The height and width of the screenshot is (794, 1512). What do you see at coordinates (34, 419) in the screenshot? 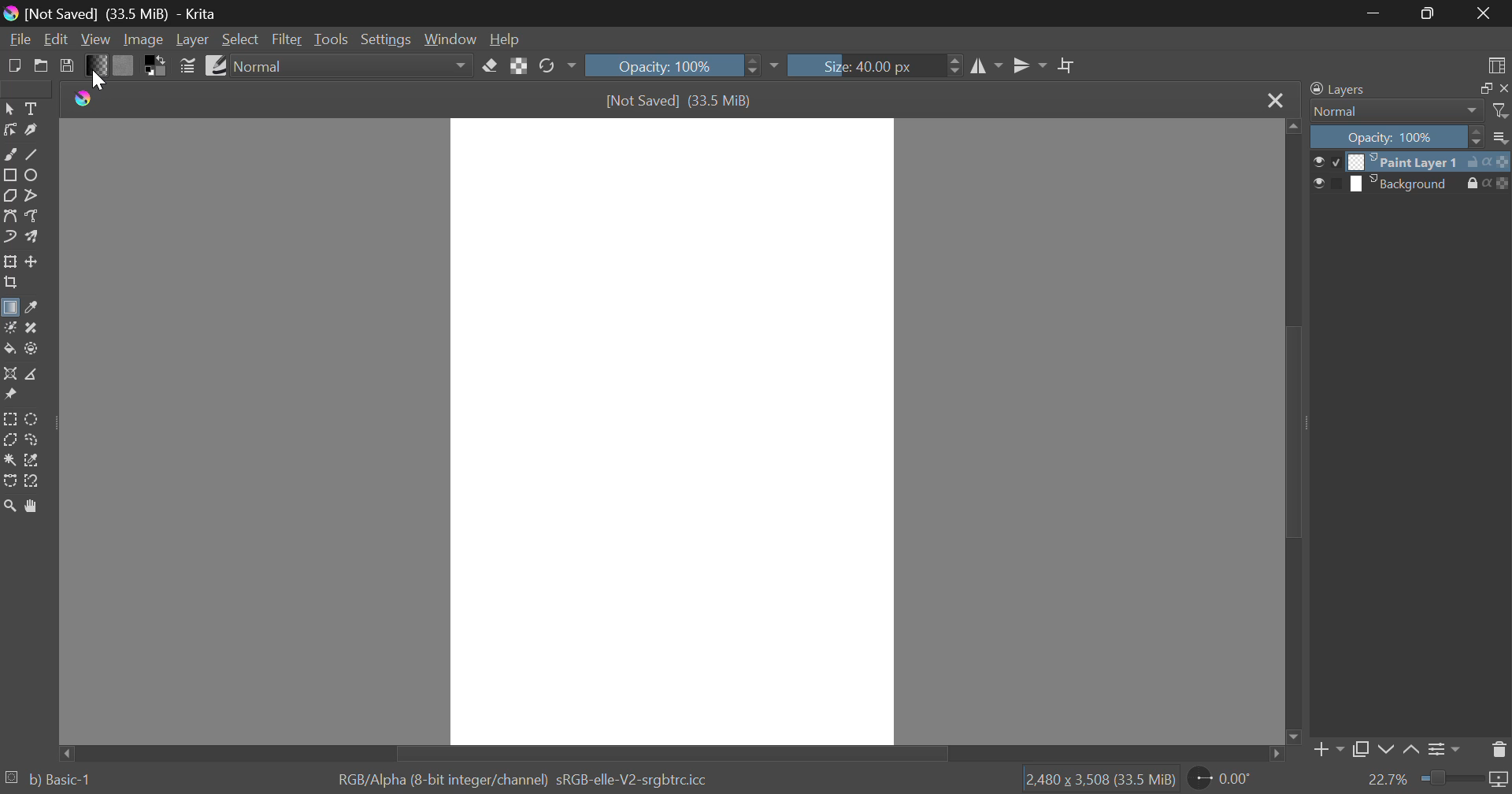
I see `Circular Selection` at bounding box center [34, 419].